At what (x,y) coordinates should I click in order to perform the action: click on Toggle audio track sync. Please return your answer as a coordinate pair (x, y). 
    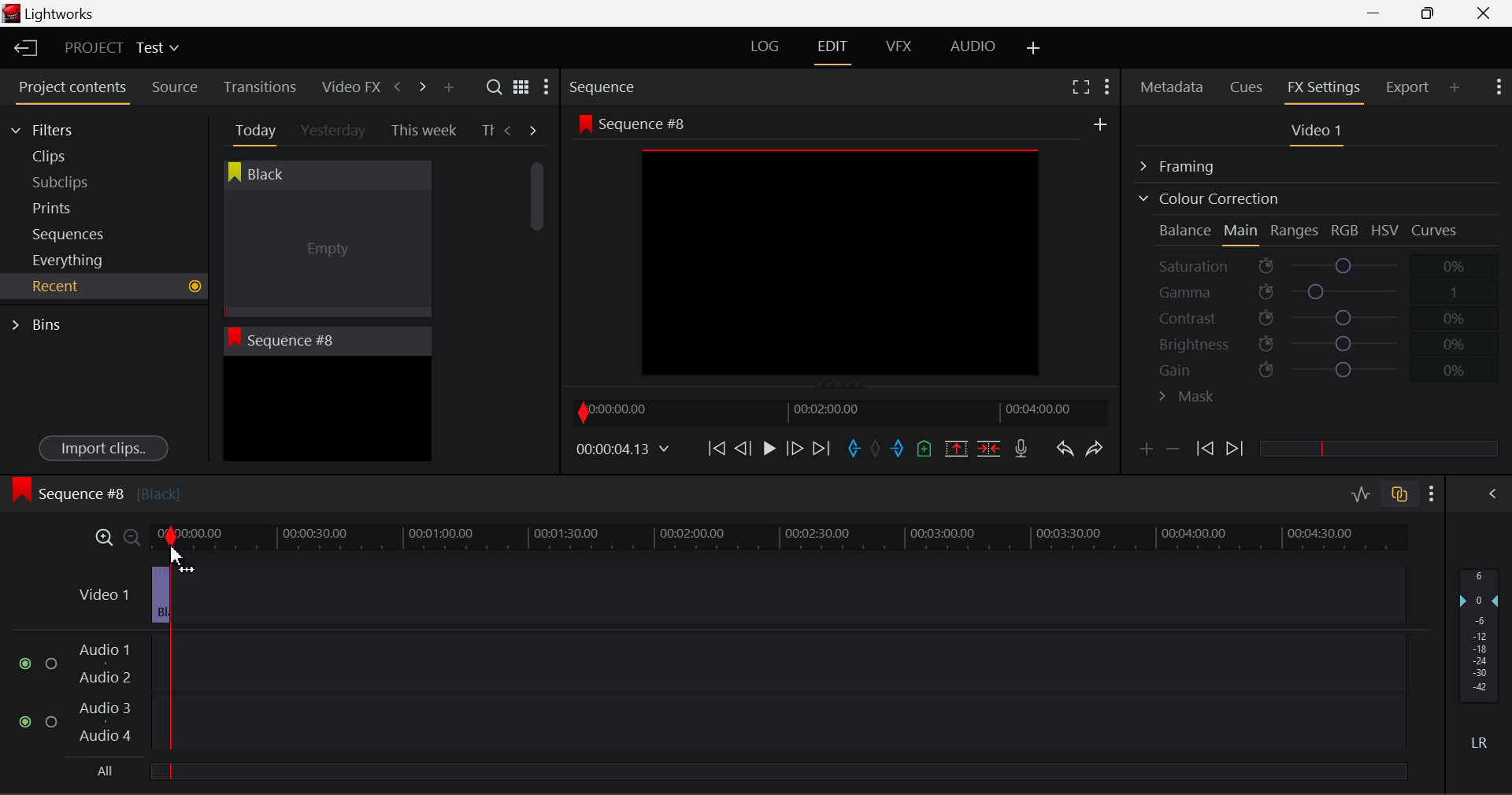
    Looking at the image, I should click on (1400, 493).